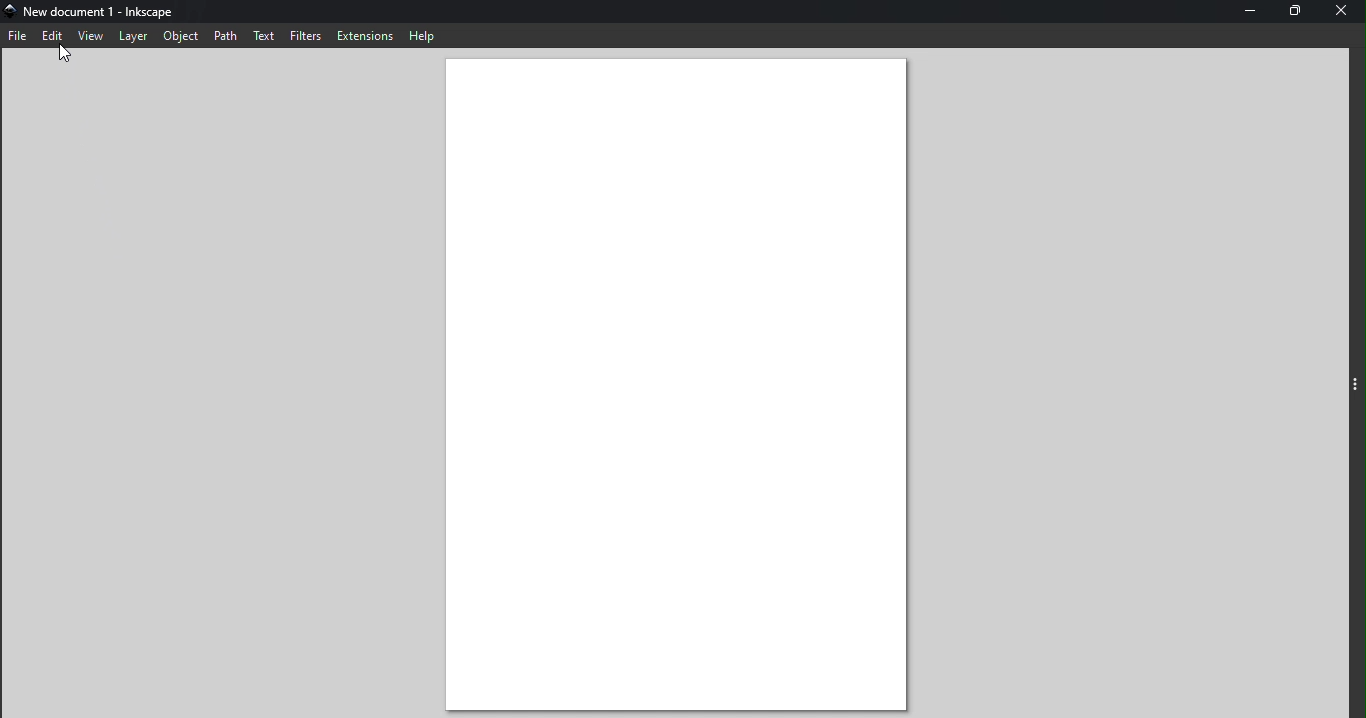 This screenshot has height=718, width=1366. Describe the element at coordinates (1246, 12) in the screenshot. I see `Minimize` at that location.